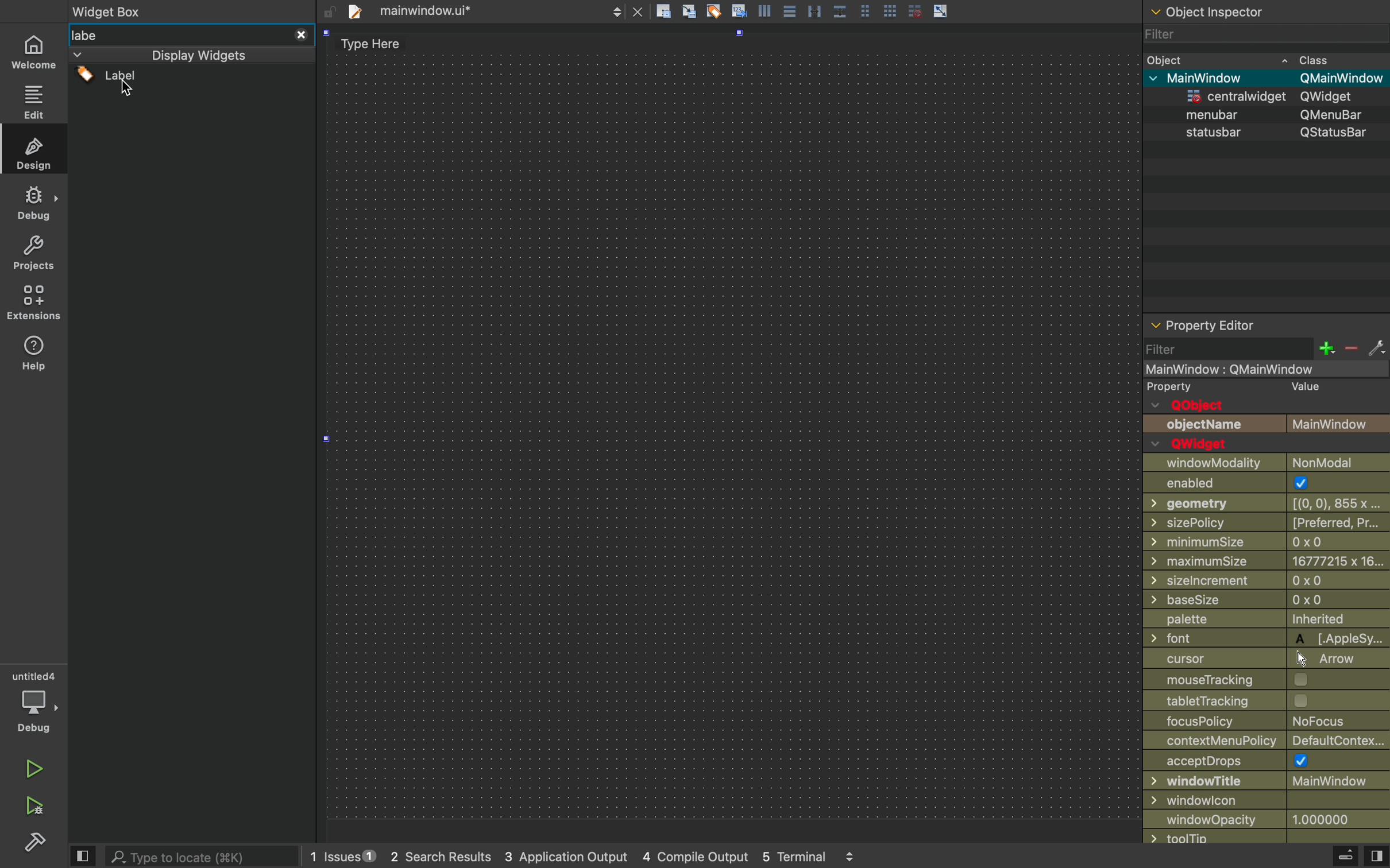  What do you see at coordinates (482, 11) in the screenshot?
I see `file` at bounding box center [482, 11].